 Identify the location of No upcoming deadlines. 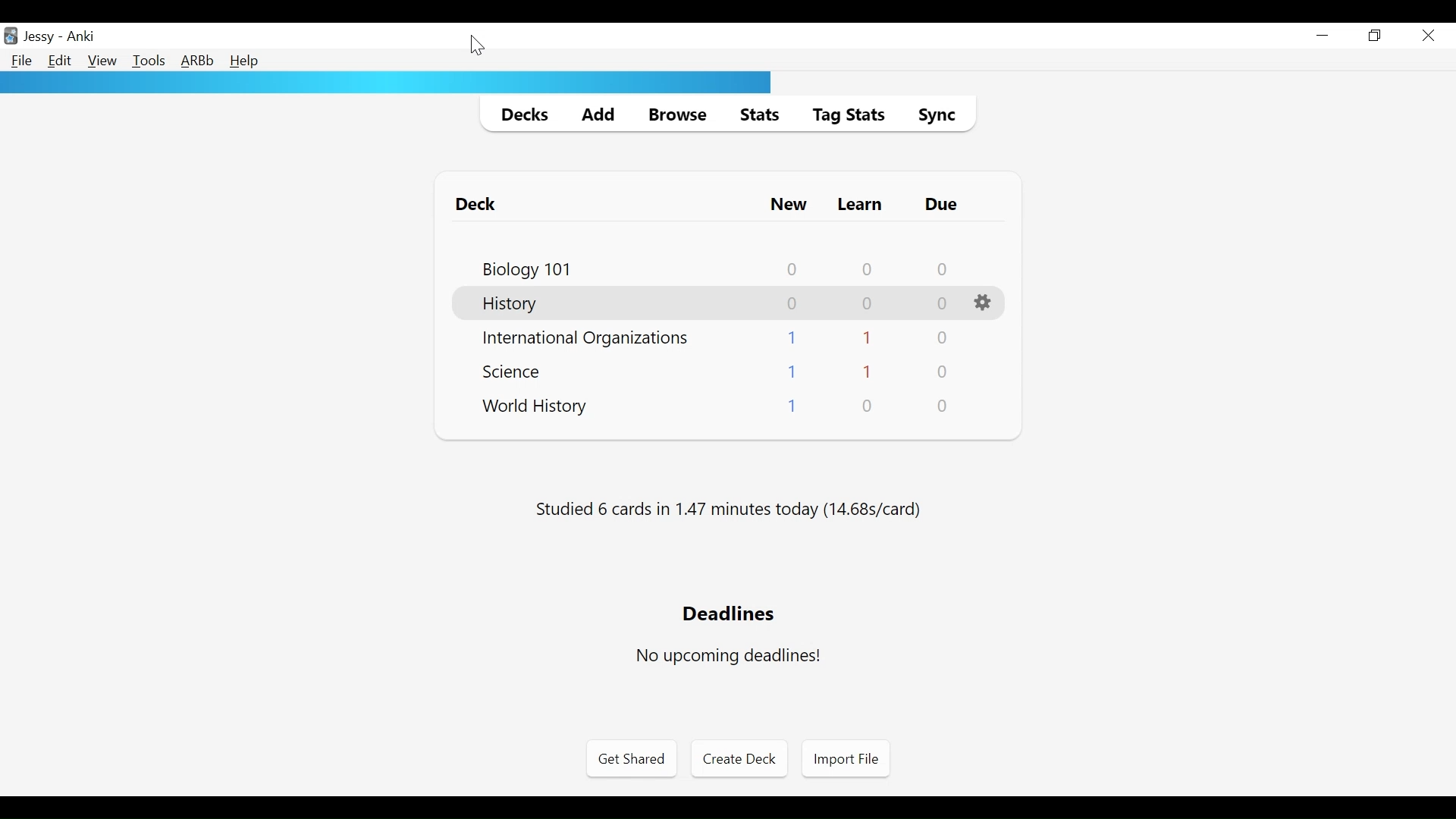
(730, 657).